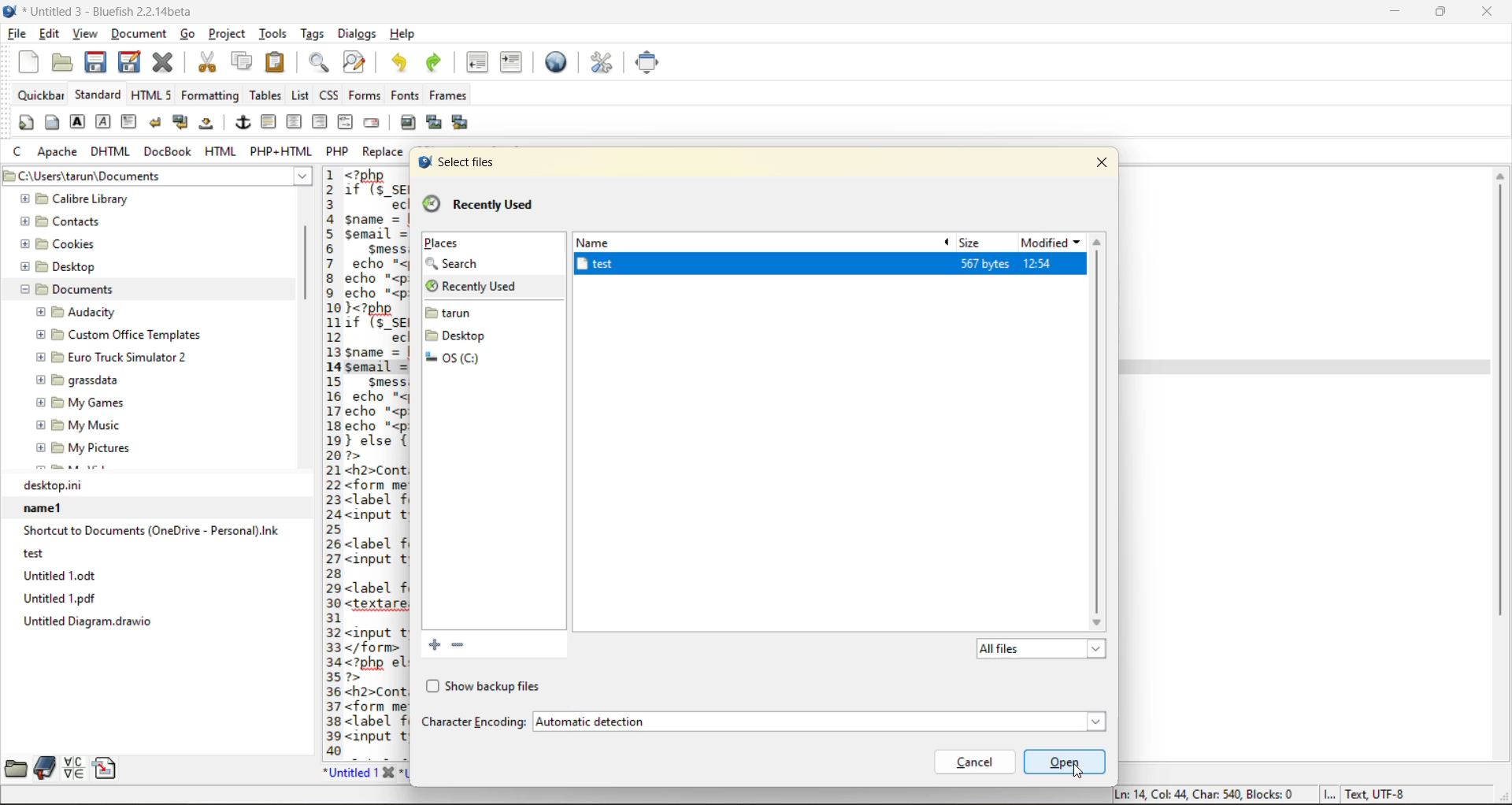 Image resolution: width=1512 pixels, height=805 pixels. What do you see at coordinates (103, 12) in the screenshot?
I see `file name and app name` at bounding box center [103, 12].